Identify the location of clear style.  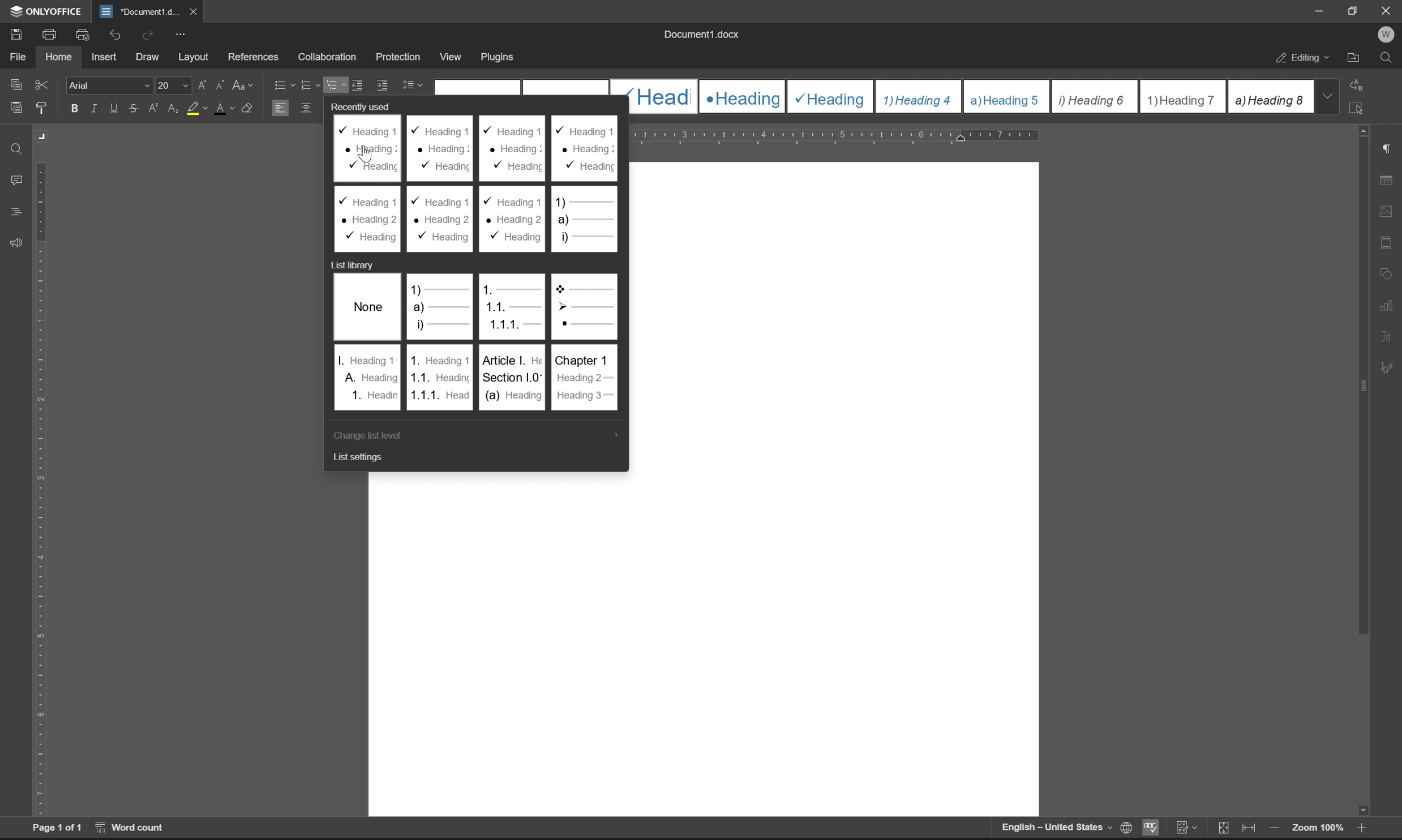
(248, 106).